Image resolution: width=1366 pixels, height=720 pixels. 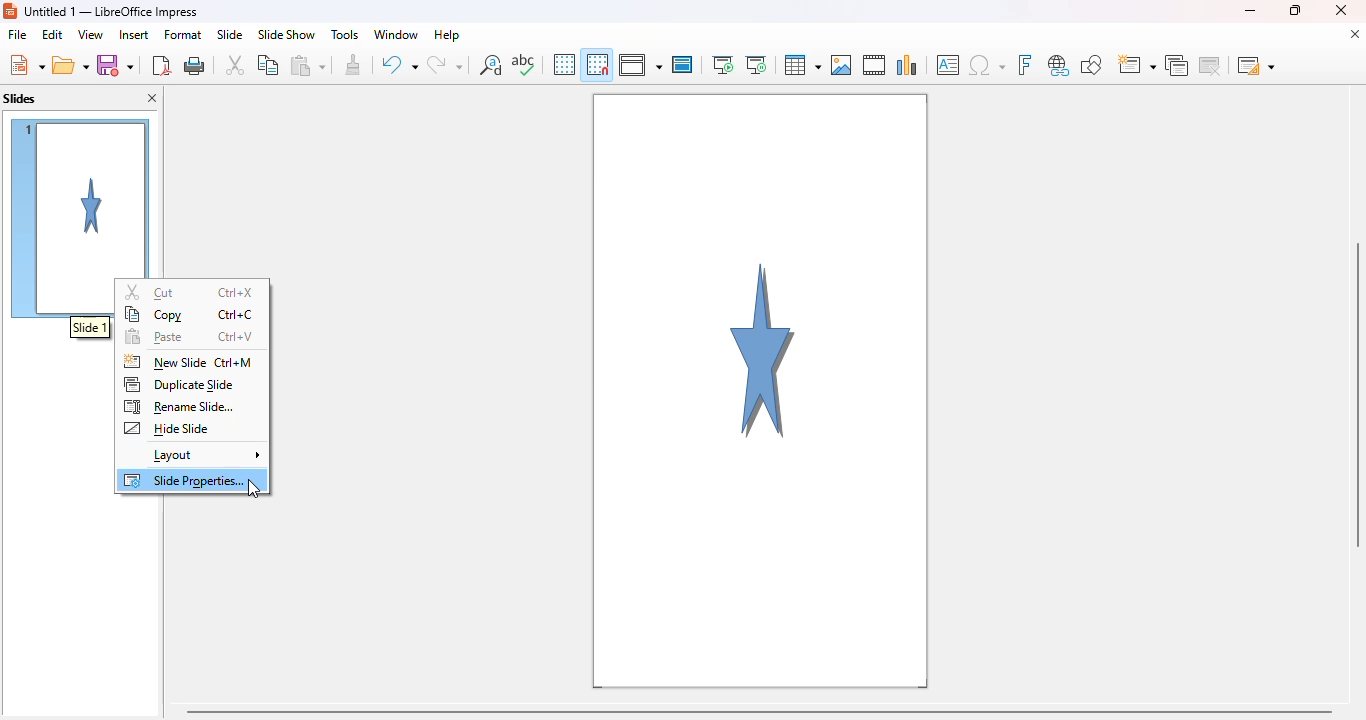 I want to click on help, so click(x=448, y=35).